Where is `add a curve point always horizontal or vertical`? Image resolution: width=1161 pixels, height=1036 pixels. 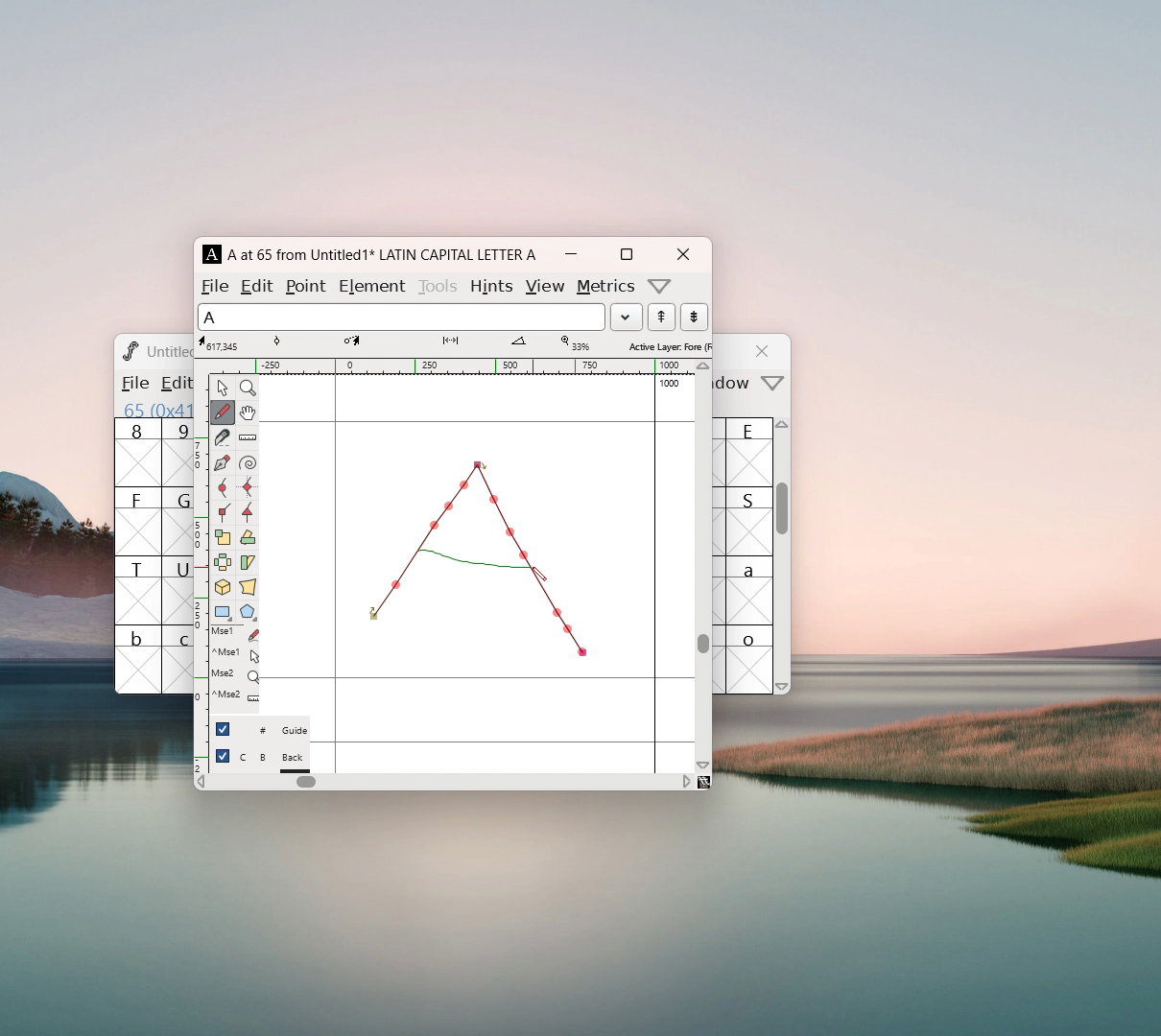 add a curve point always horizontal or vertical is located at coordinates (248, 487).